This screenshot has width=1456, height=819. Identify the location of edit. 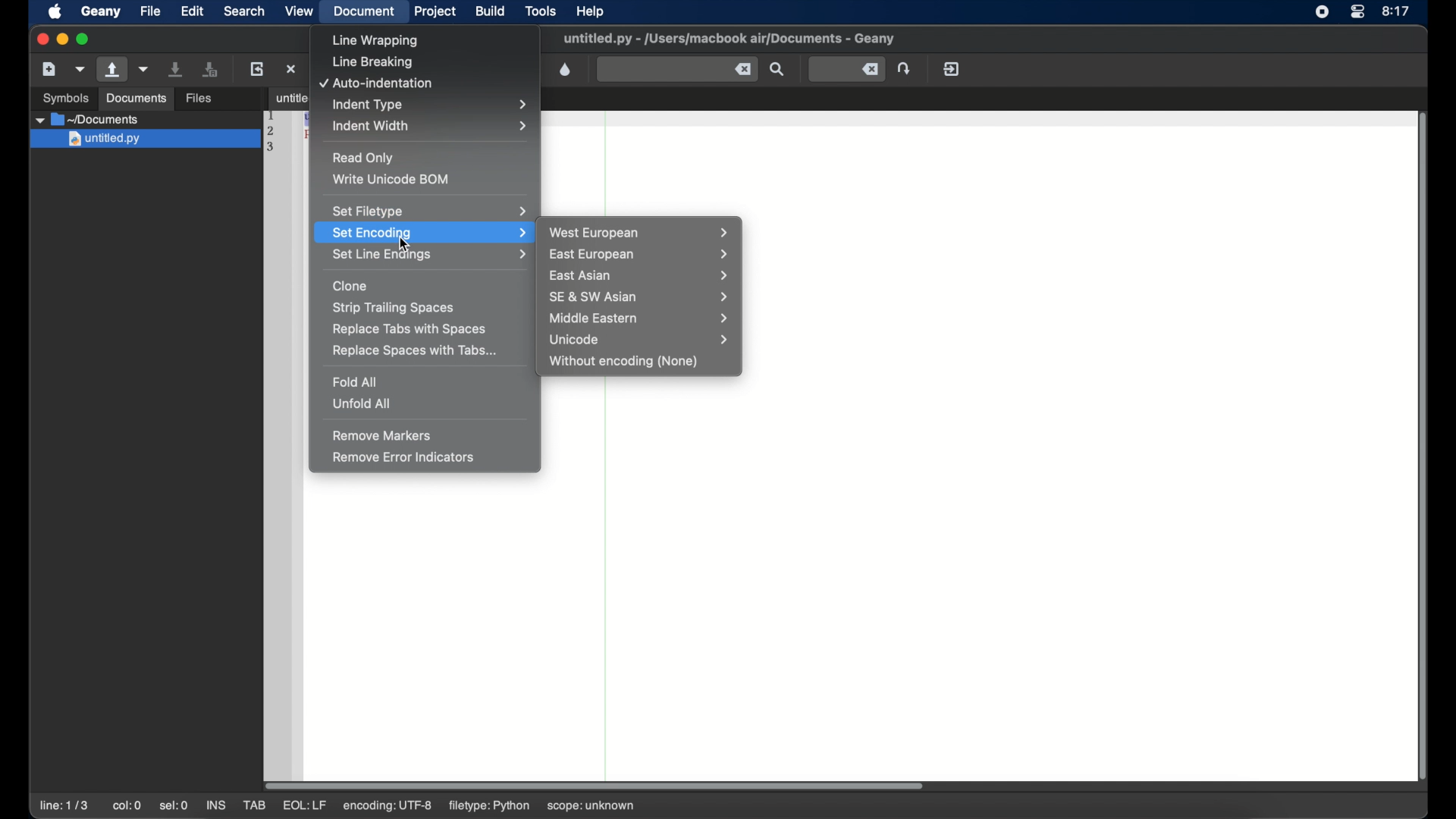
(191, 11).